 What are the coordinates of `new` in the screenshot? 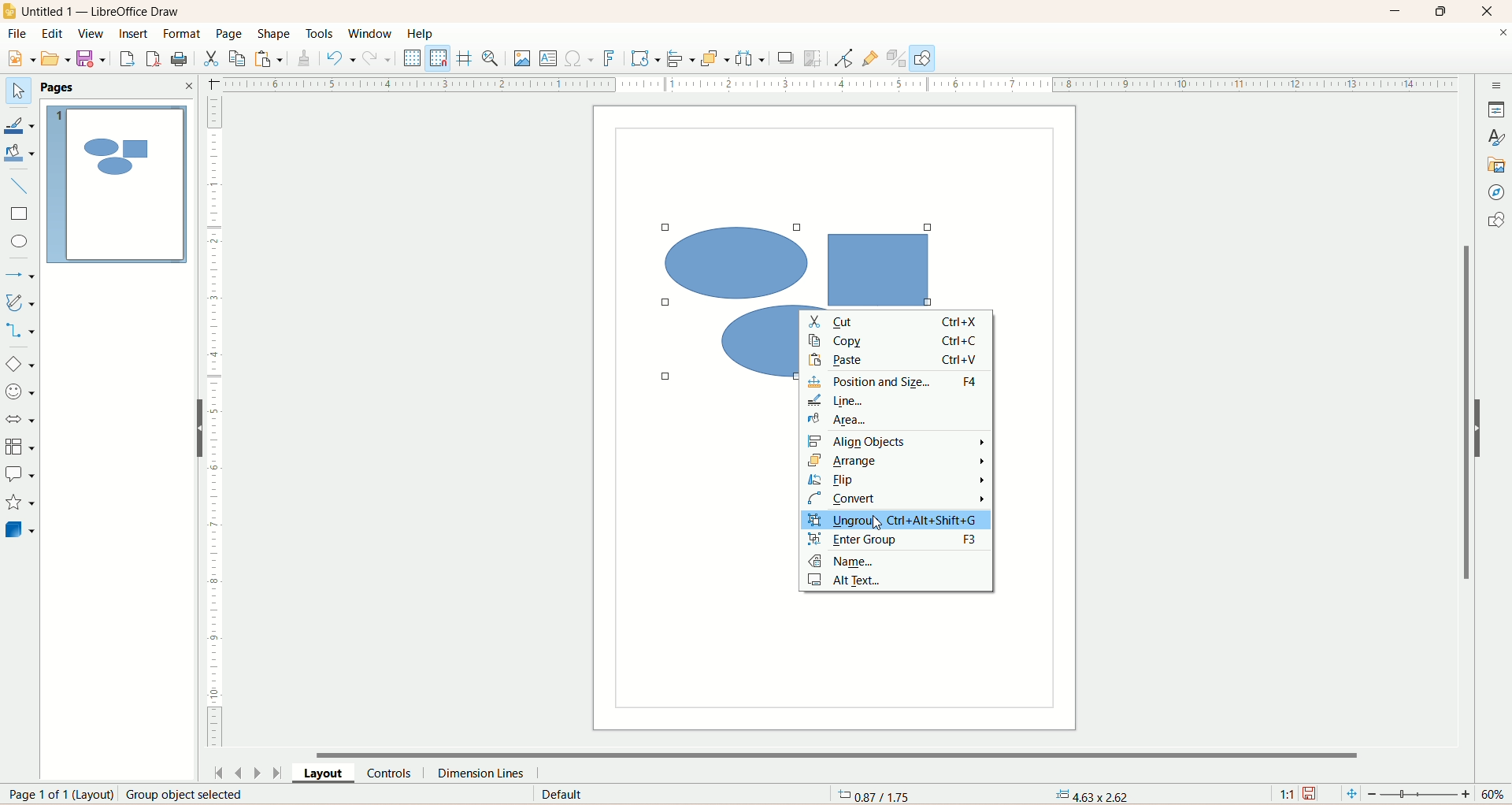 It's located at (22, 57).